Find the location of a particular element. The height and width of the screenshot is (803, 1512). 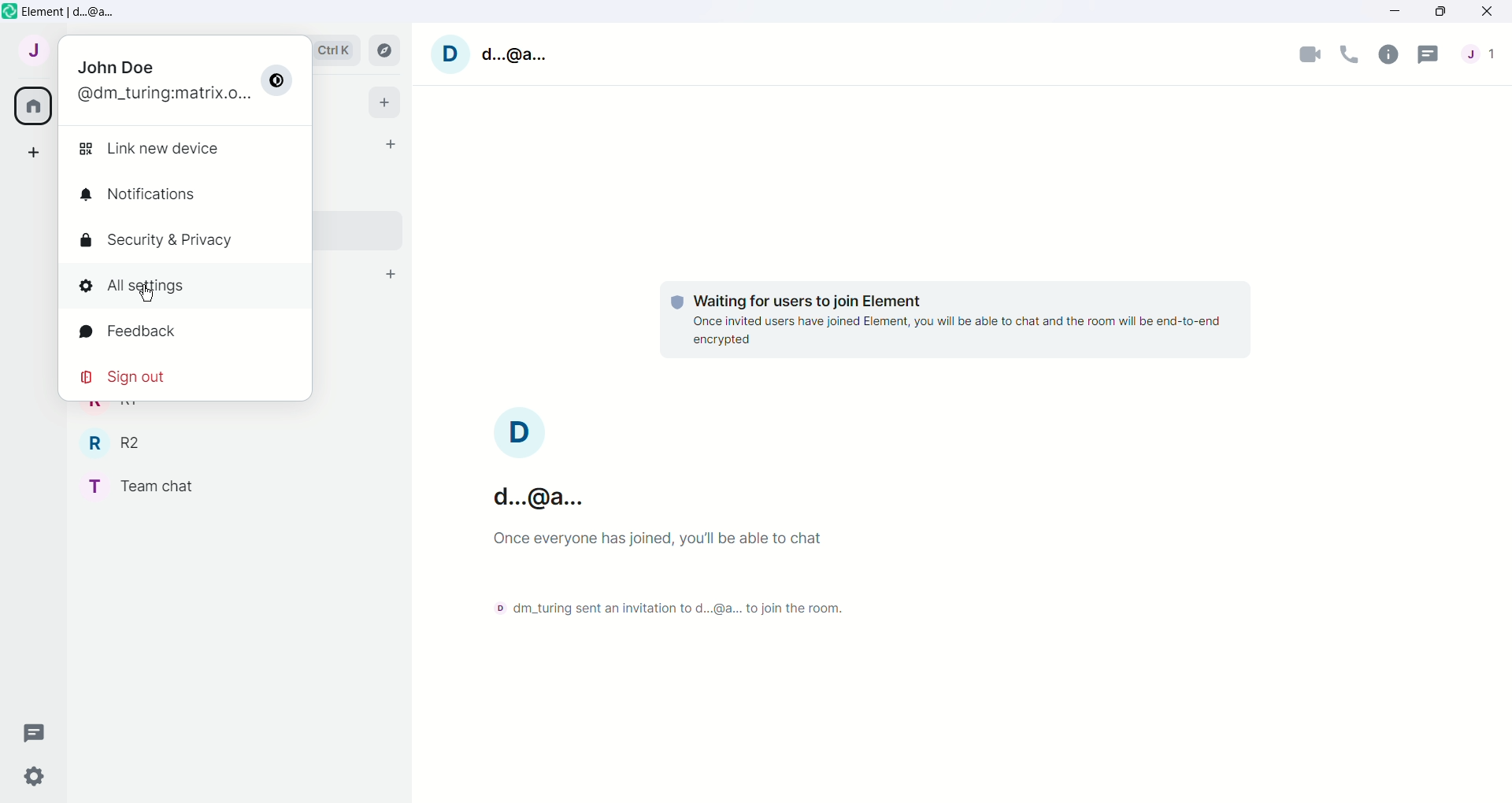

All rooms is located at coordinates (31, 106).